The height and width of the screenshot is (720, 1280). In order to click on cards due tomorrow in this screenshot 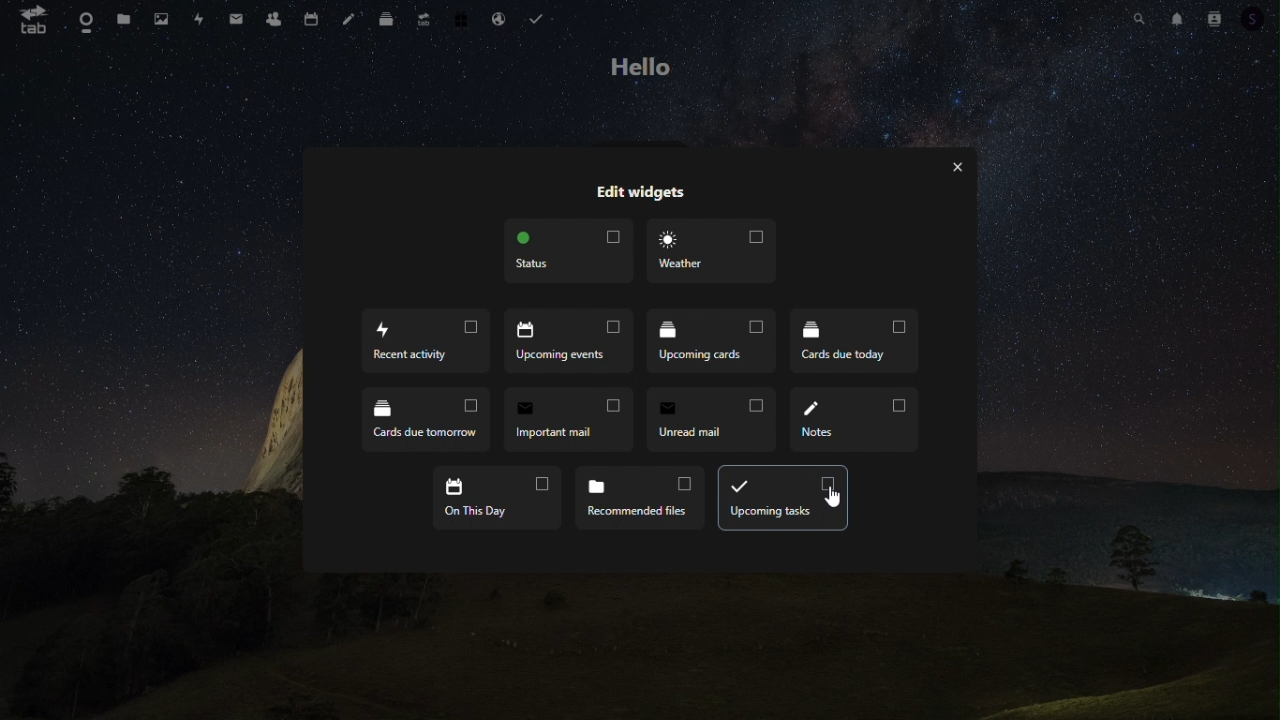, I will do `click(427, 423)`.